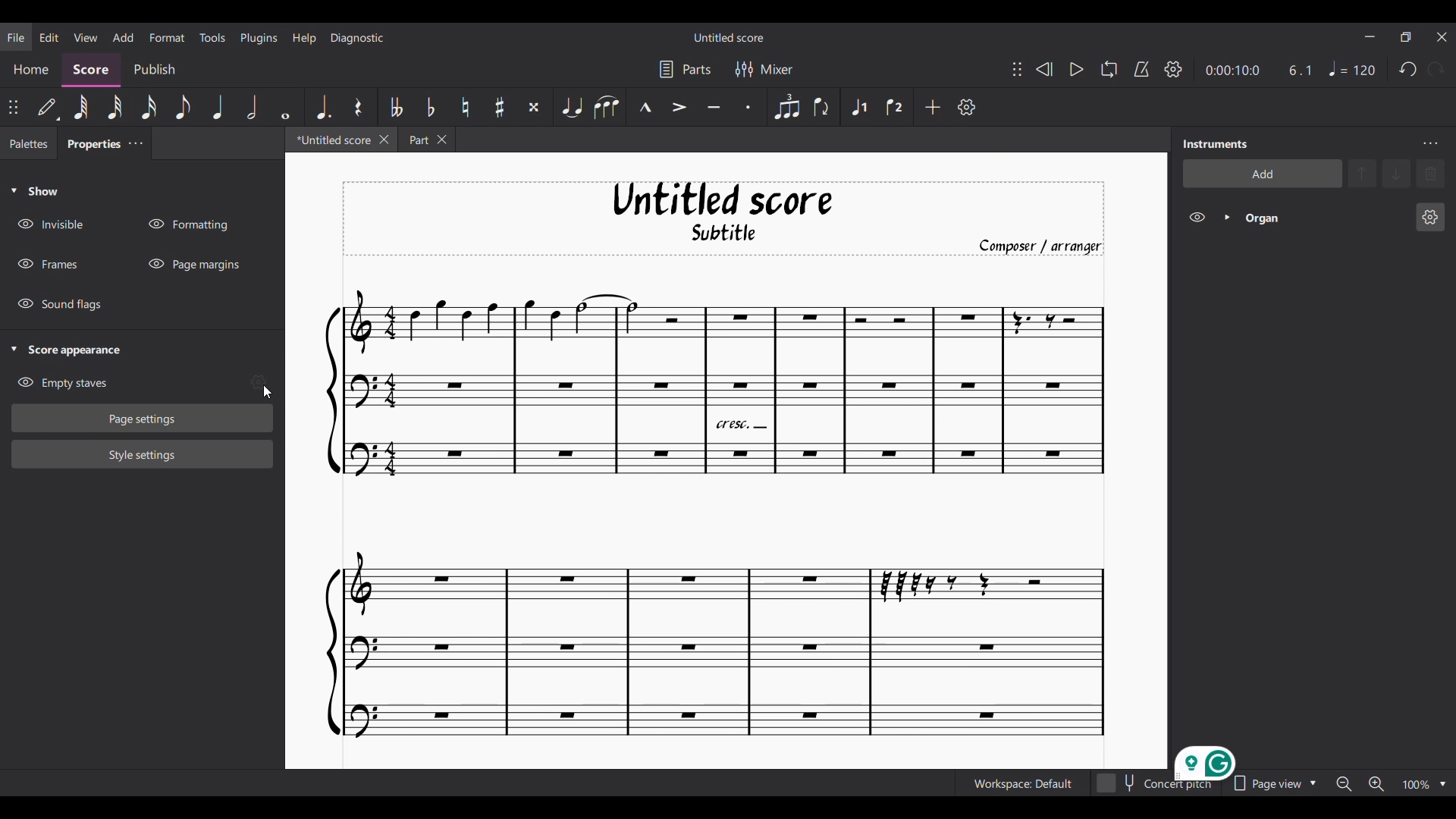 This screenshot has height=819, width=1456. I want to click on Add instrument, so click(1260, 176).